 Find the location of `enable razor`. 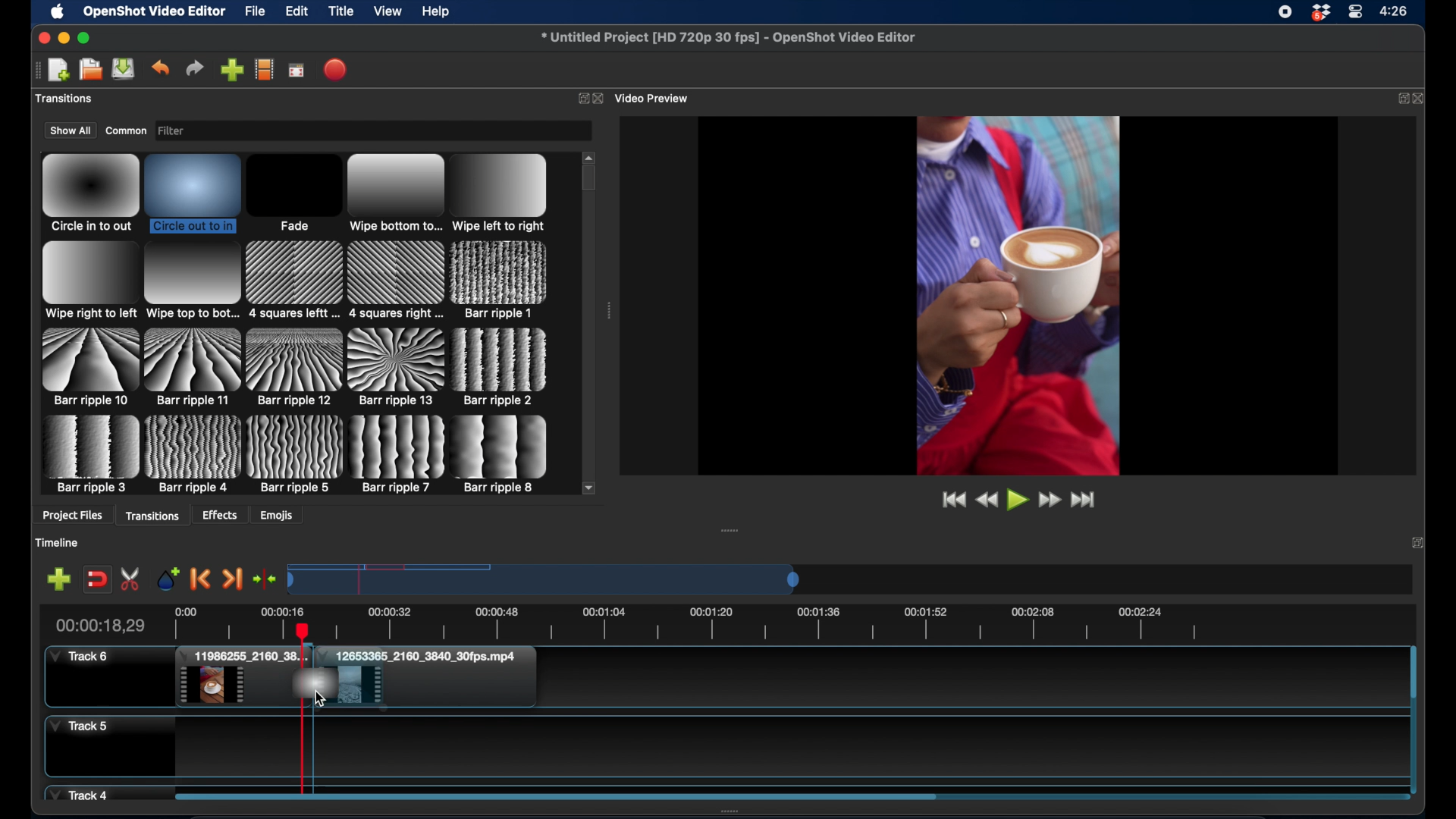

enable razor is located at coordinates (132, 579).